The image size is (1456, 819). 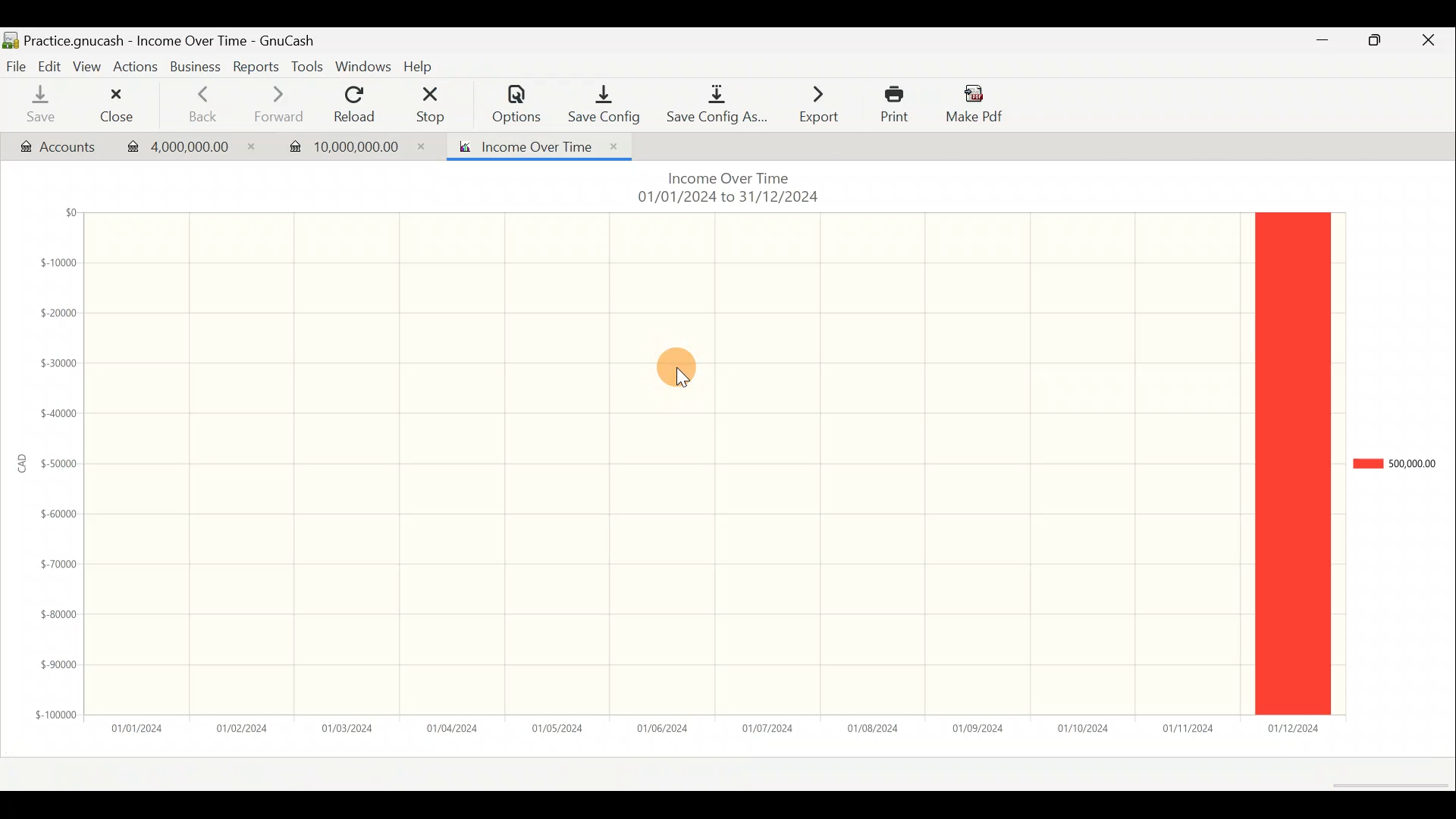 What do you see at coordinates (976, 103) in the screenshot?
I see `Make Pdf` at bounding box center [976, 103].